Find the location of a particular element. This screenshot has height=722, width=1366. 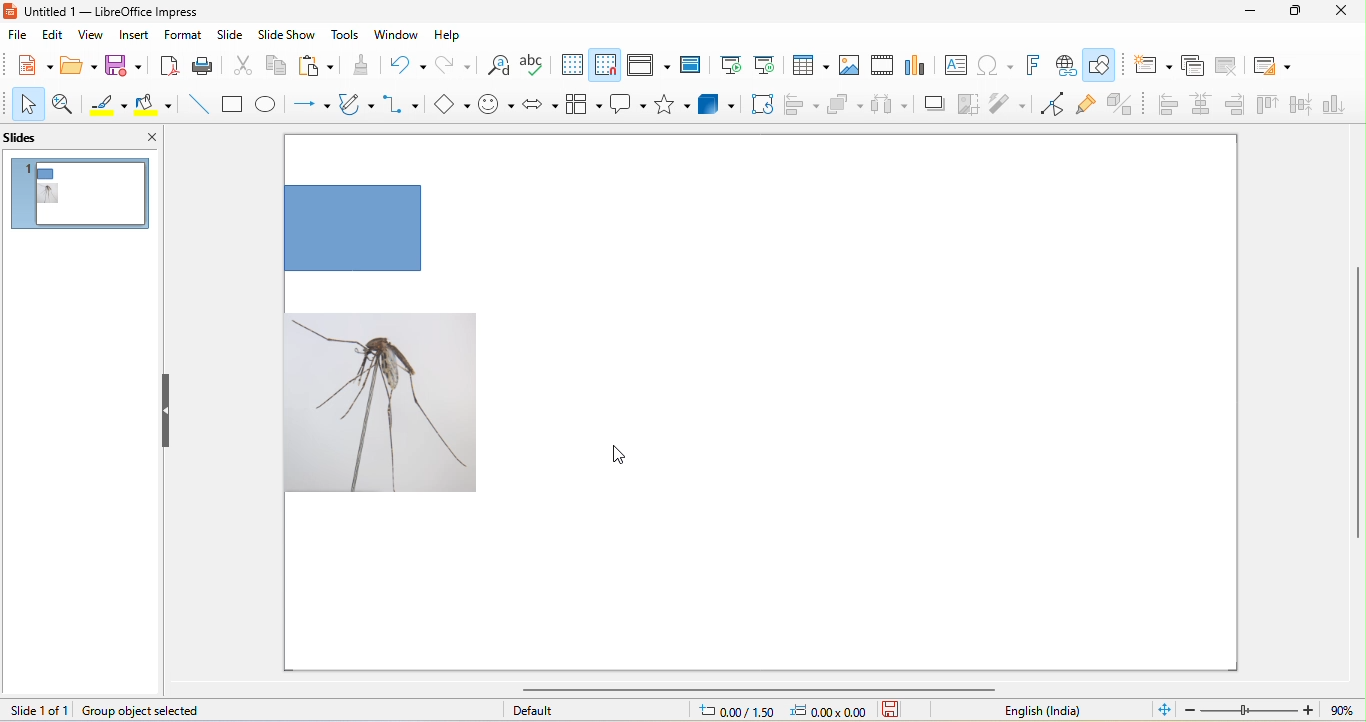

crop image is located at coordinates (967, 106).